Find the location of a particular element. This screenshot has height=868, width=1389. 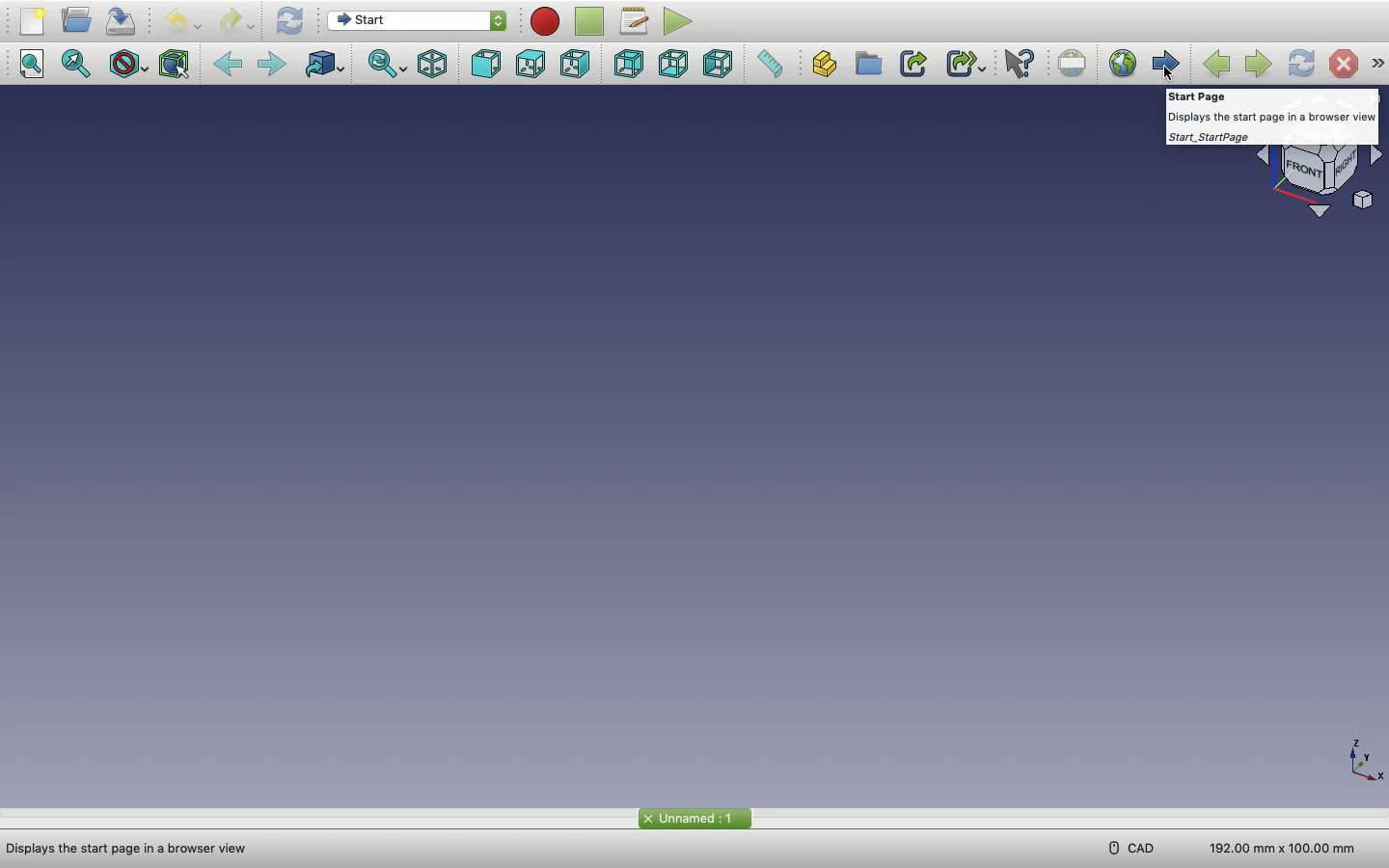

Create part is located at coordinates (831, 65).